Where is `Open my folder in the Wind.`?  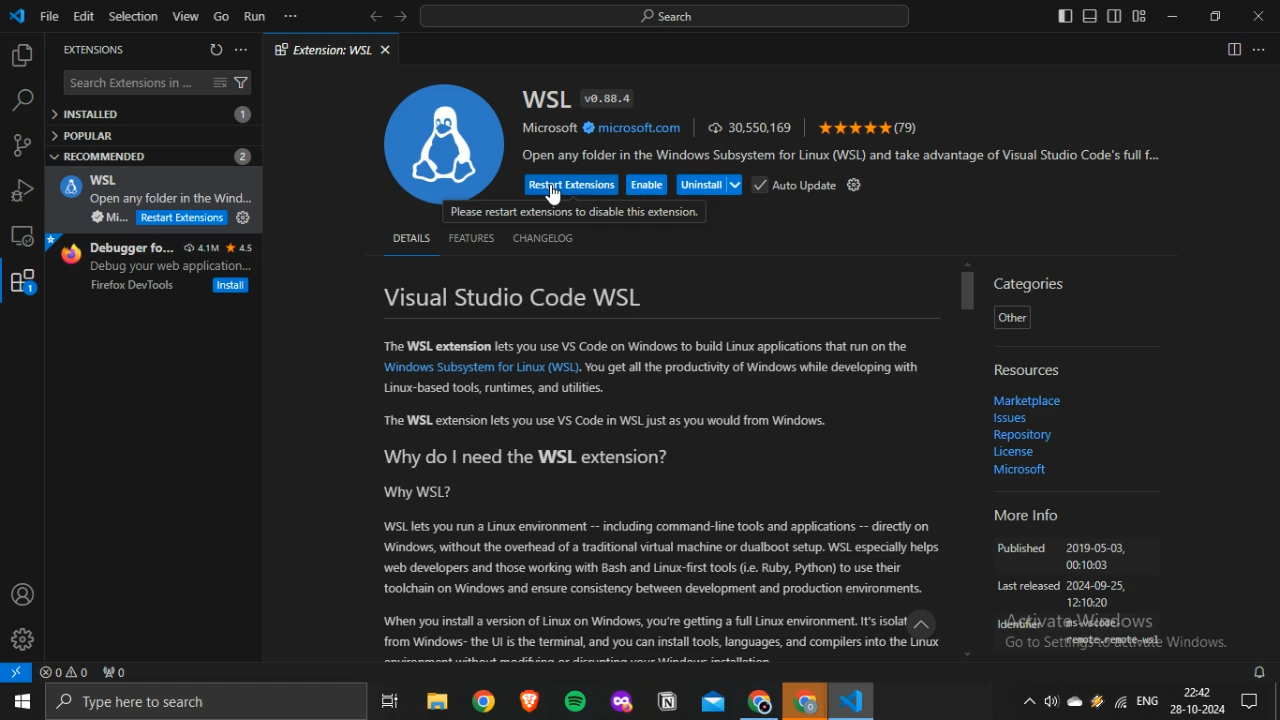 Open my folder in the Wind. is located at coordinates (173, 199).